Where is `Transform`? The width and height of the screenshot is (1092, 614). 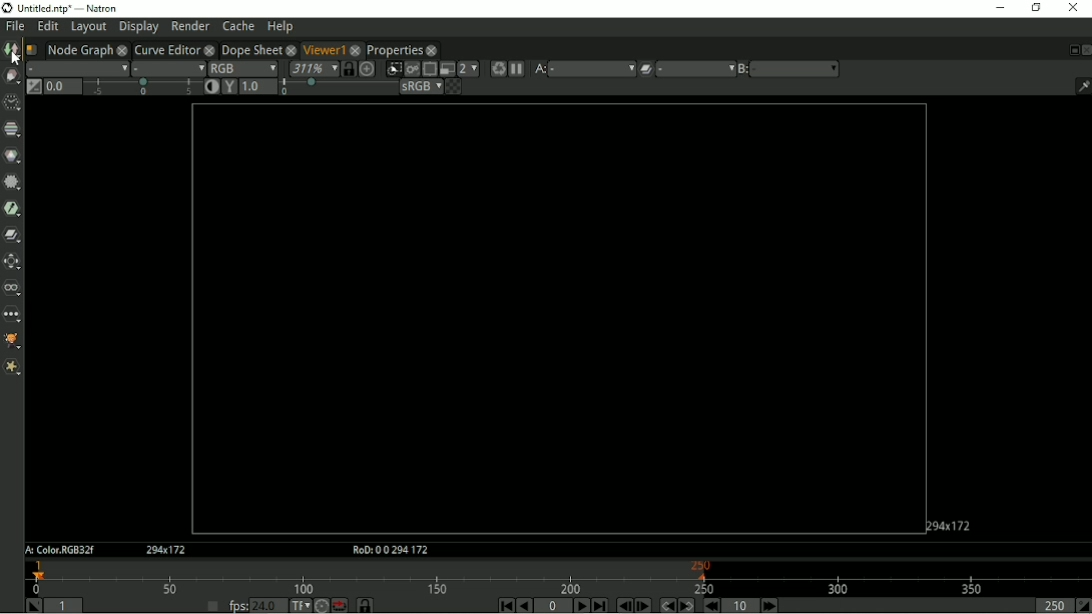
Transform is located at coordinates (12, 260).